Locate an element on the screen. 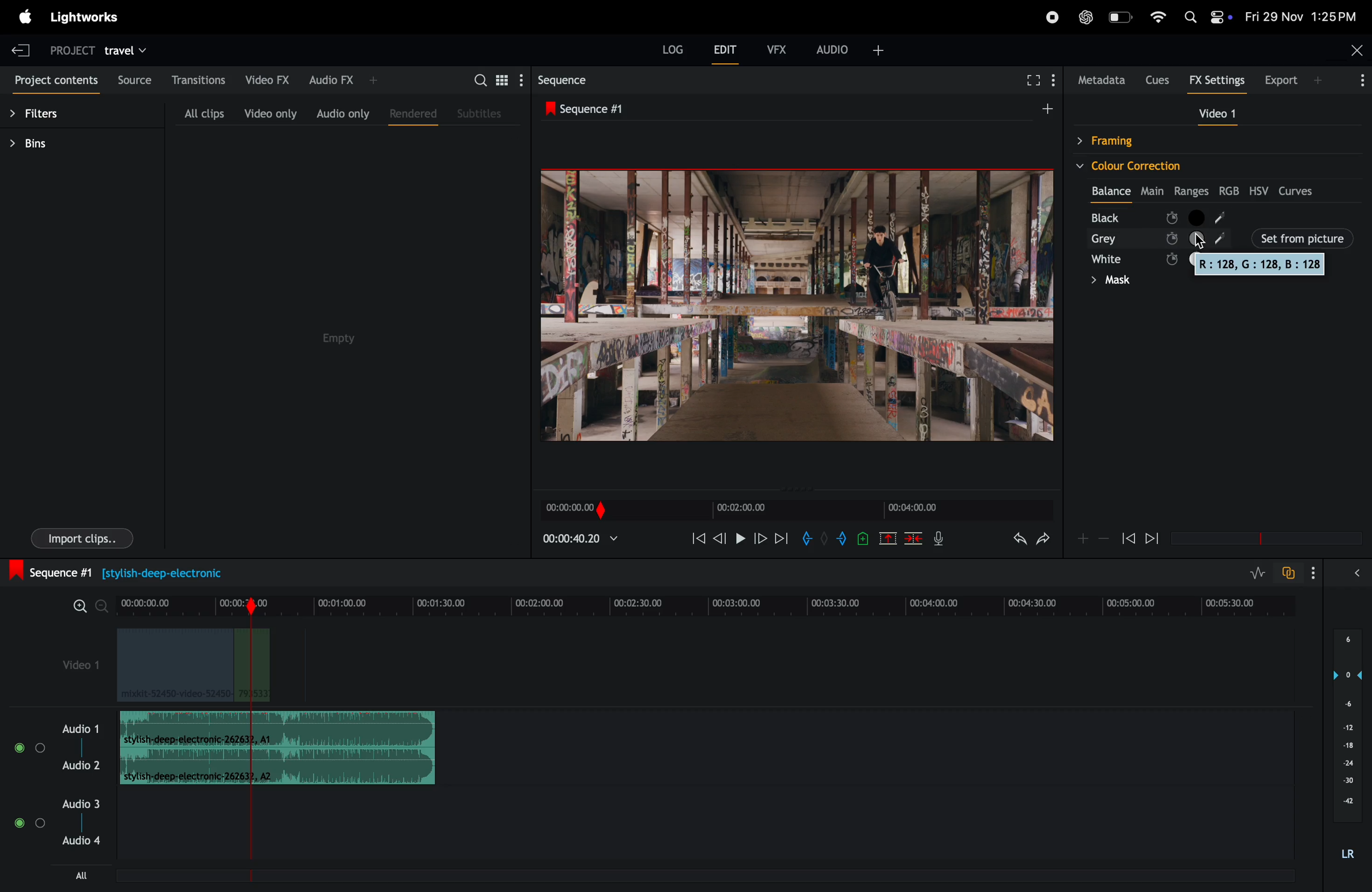  toggle is located at coordinates (18, 823).